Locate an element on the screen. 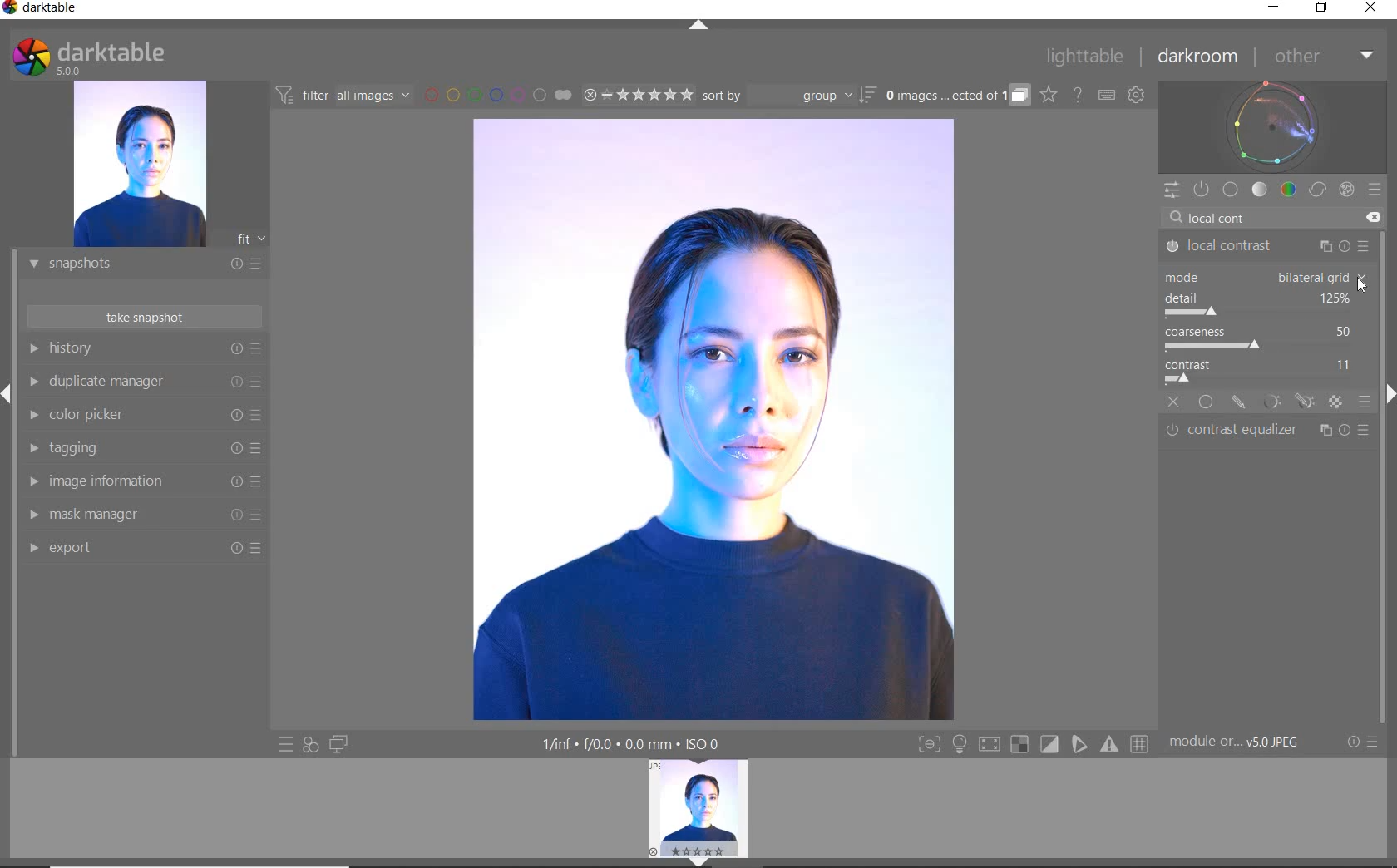 The width and height of the screenshot is (1397, 868). mode is located at coordinates (1264, 277).